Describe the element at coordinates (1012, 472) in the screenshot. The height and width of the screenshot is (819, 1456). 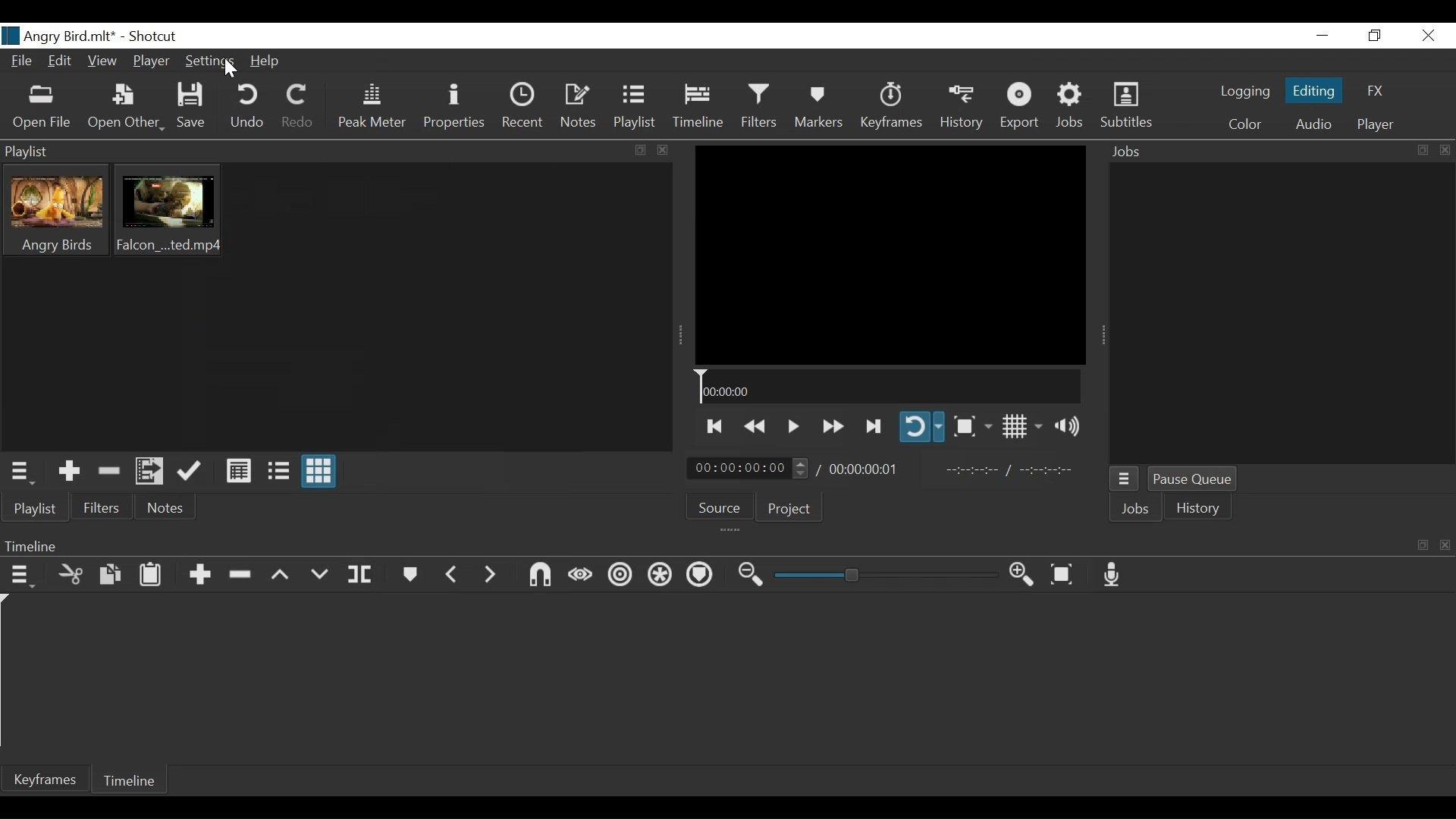
I see `In point` at that location.